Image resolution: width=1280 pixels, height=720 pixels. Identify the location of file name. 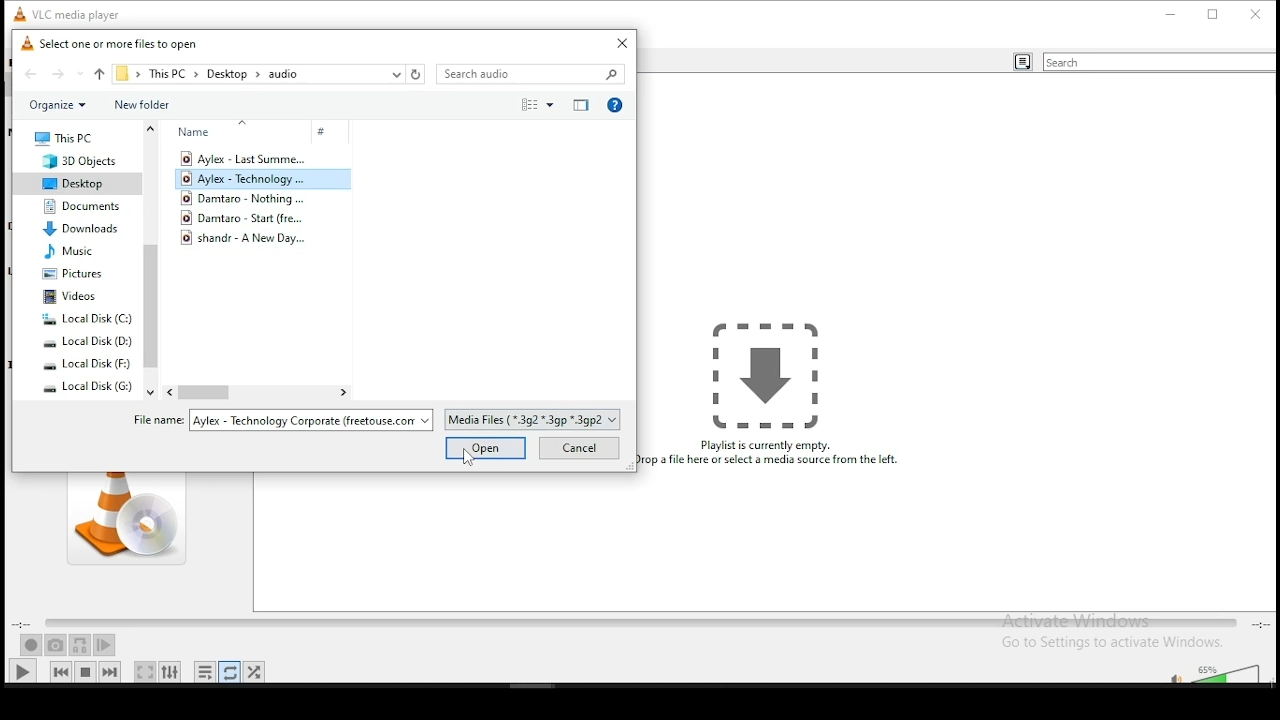
(281, 421).